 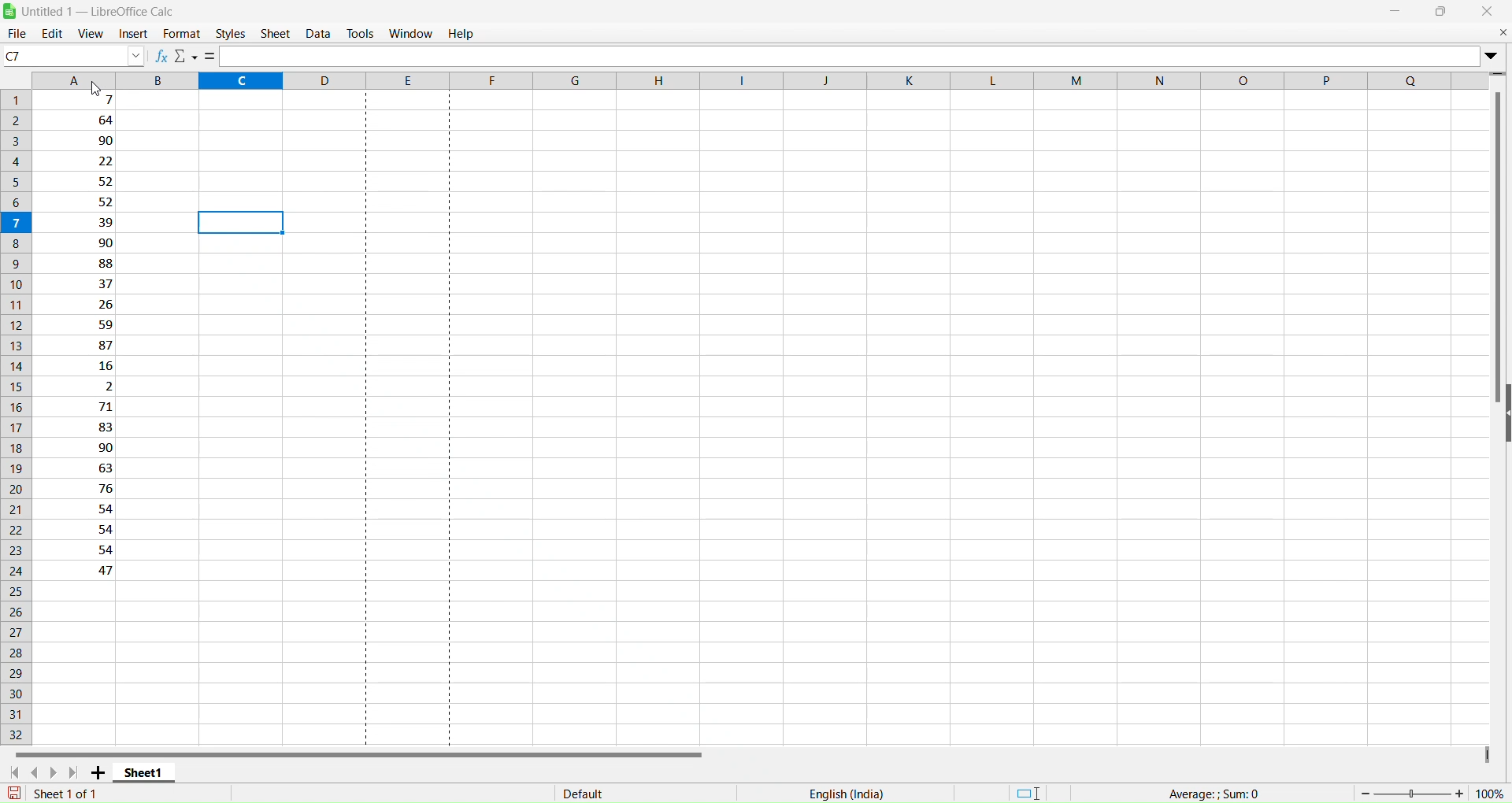 What do you see at coordinates (95, 90) in the screenshot?
I see `Cursor` at bounding box center [95, 90].